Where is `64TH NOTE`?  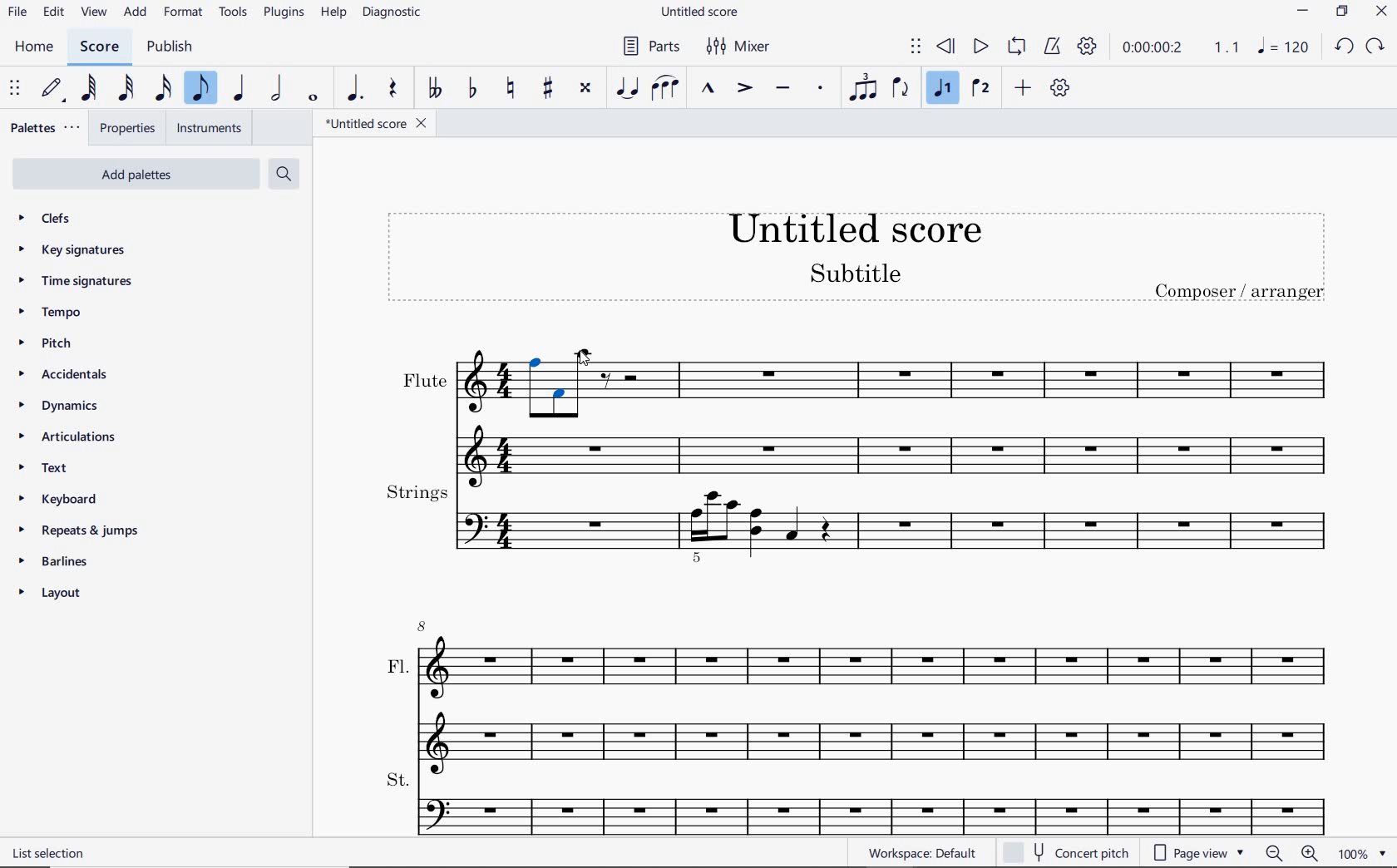
64TH NOTE is located at coordinates (89, 88).